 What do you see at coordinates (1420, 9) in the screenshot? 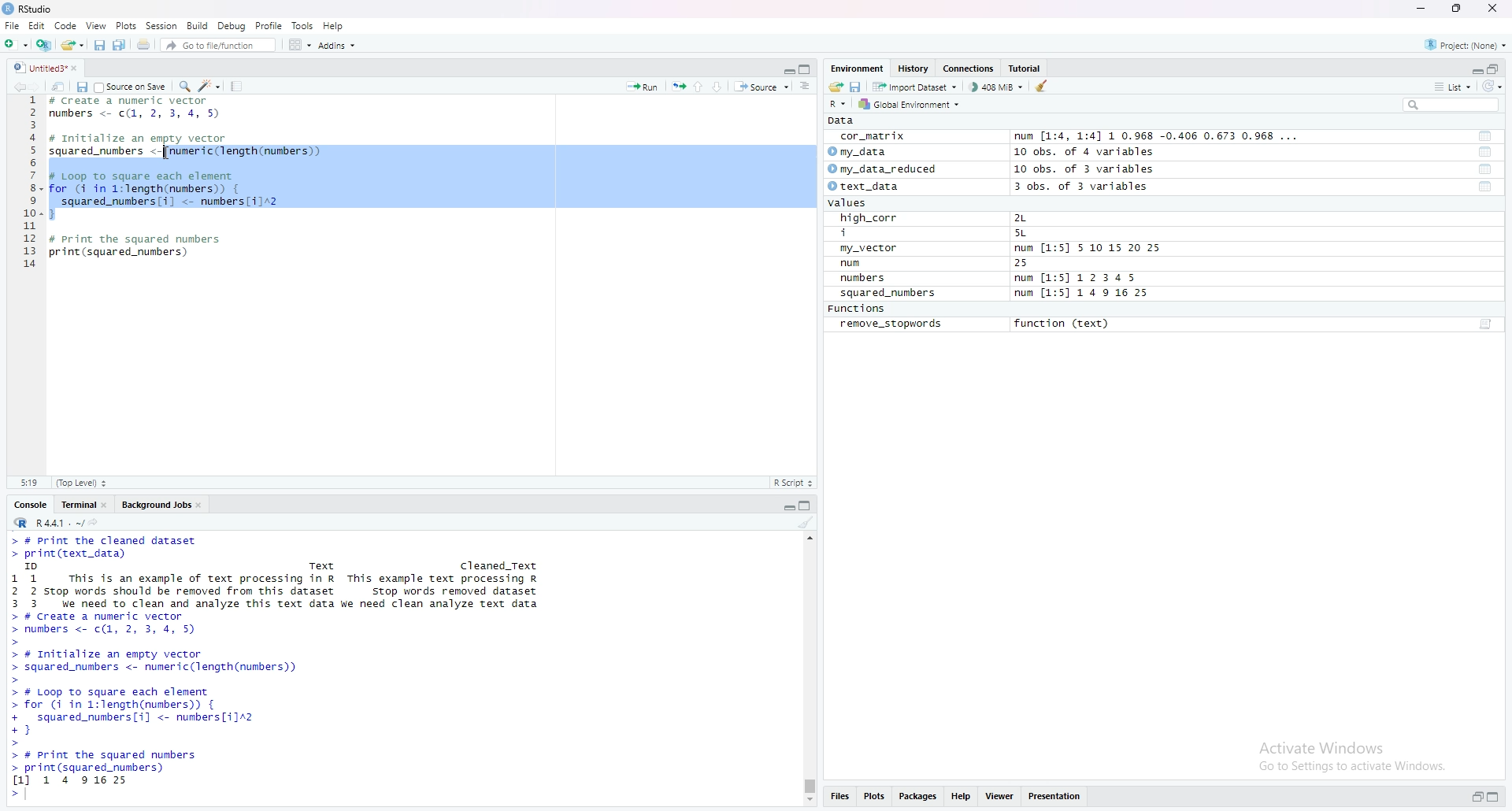
I see `minimize` at bounding box center [1420, 9].